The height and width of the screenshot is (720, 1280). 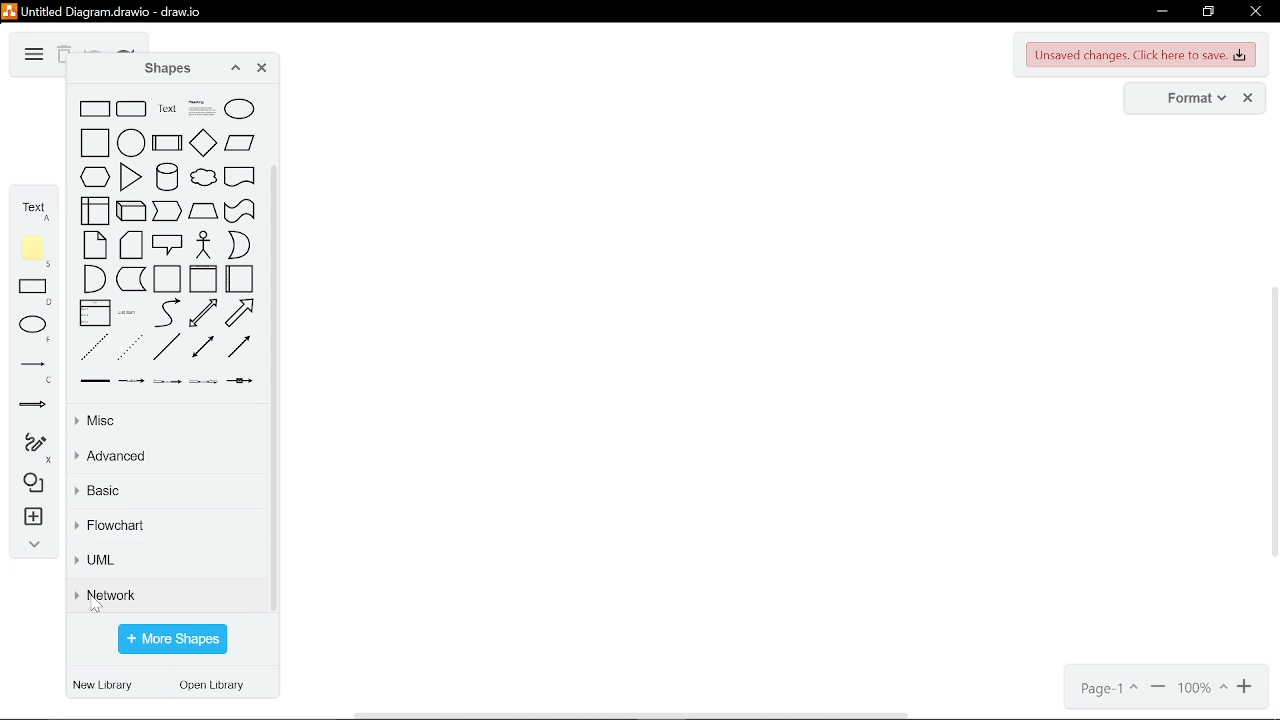 I want to click on zoom in, so click(x=1247, y=688).